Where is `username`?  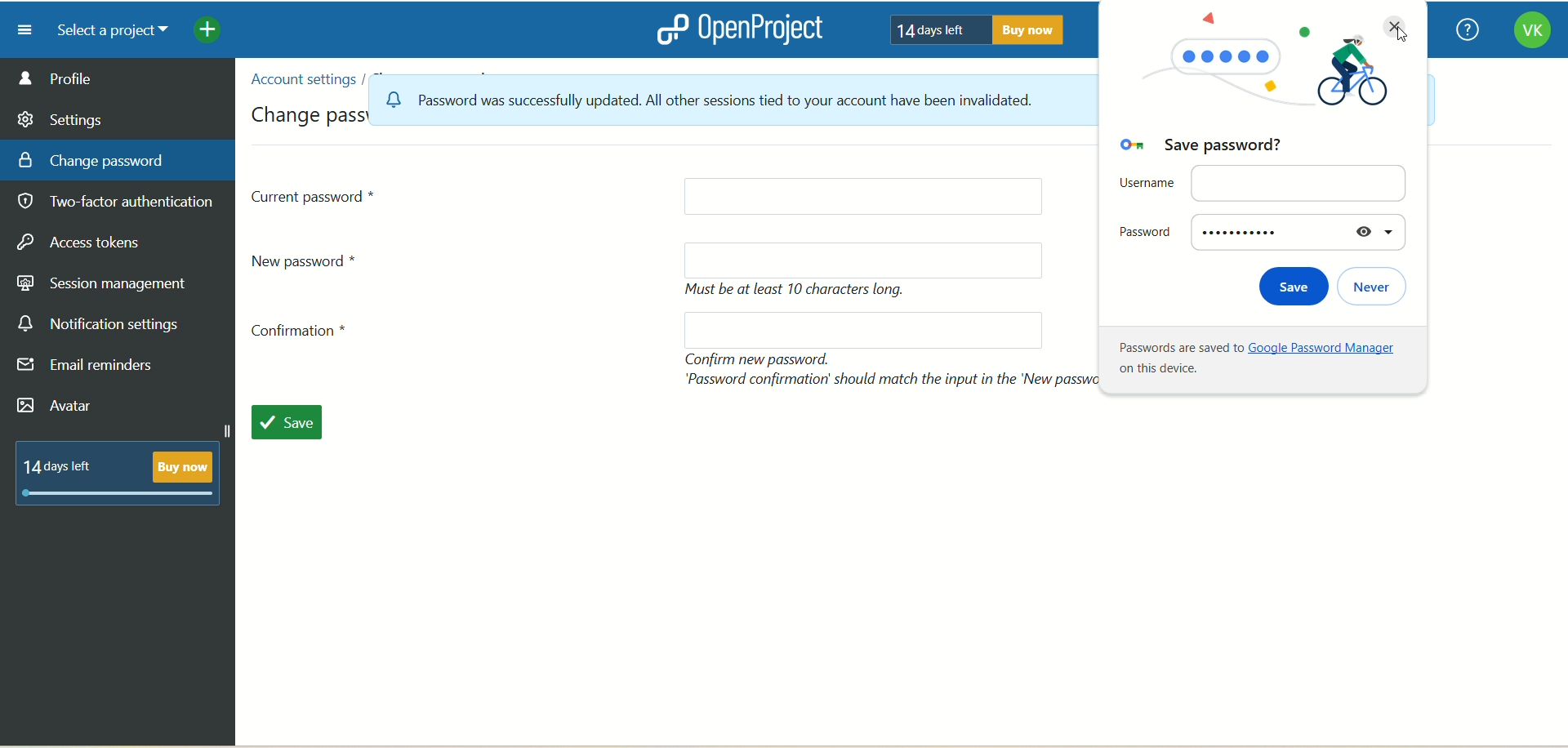 username is located at coordinates (1263, 182).